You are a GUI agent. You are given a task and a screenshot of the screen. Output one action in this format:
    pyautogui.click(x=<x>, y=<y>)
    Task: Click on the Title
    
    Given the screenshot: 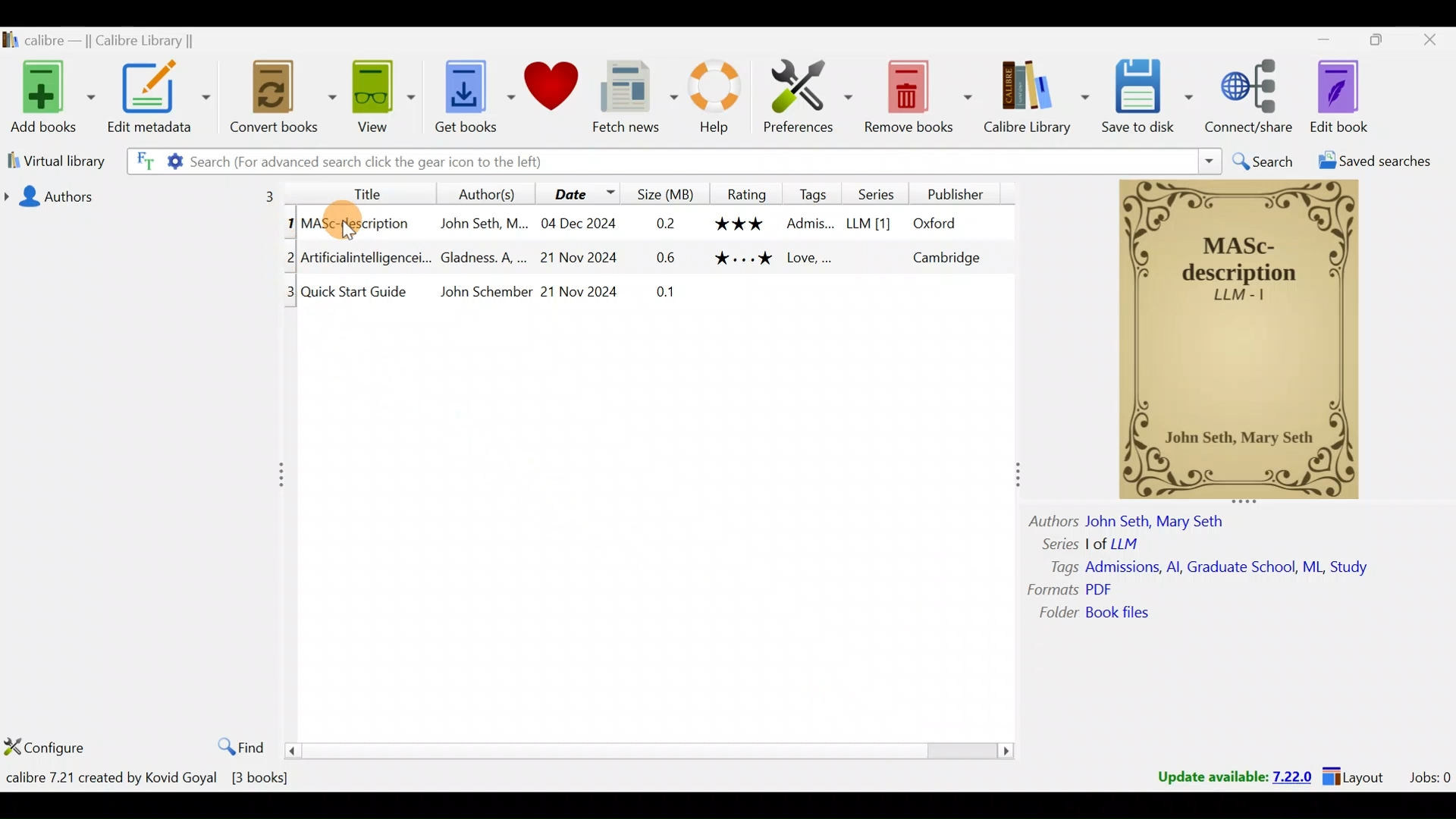 What is the action you would take?
    pyautogui.click(x=370, y=191)
    